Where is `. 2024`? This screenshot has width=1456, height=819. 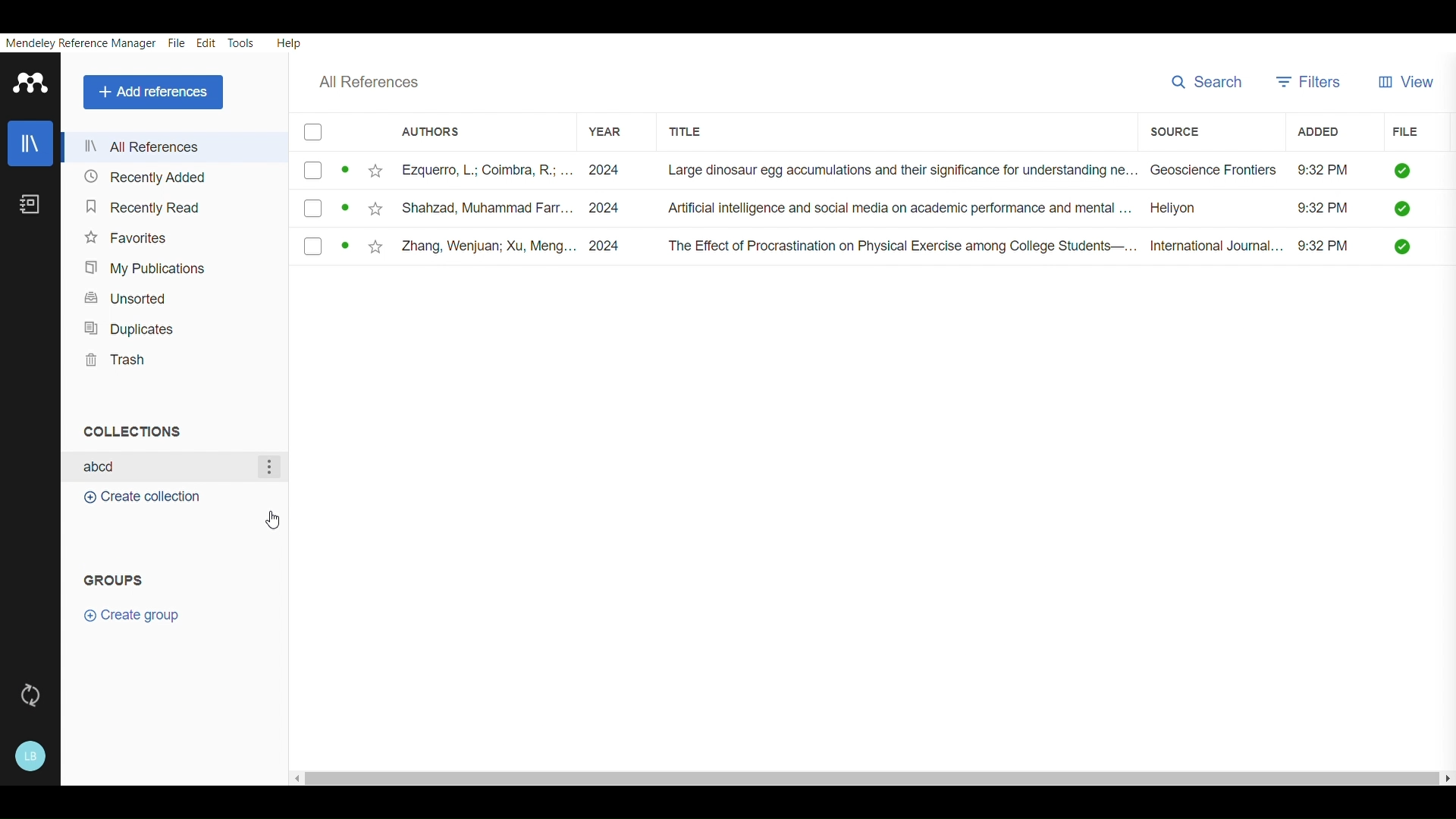
. 2024 is located at coordinates (604, 170).